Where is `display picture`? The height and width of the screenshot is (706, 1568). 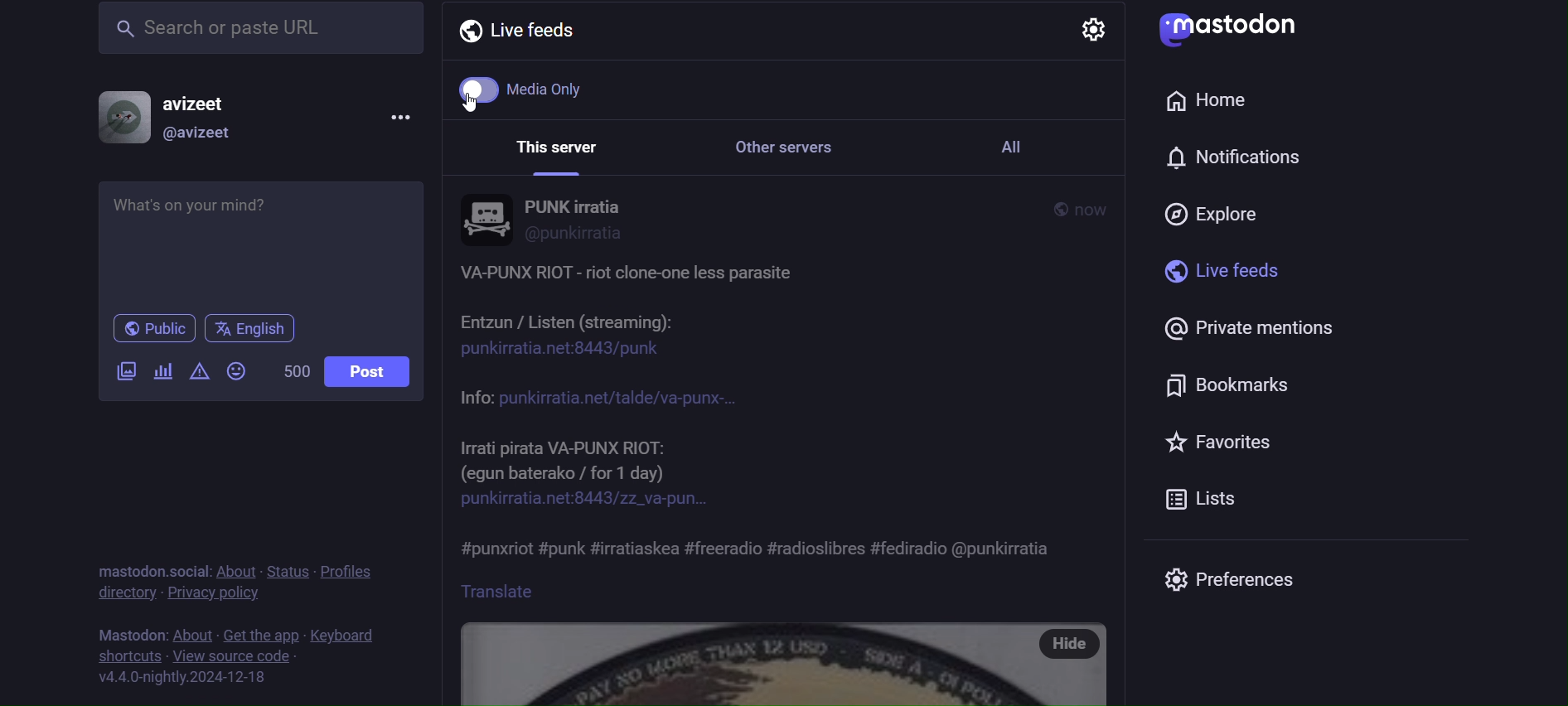
display picture is located at coordinates (116, 114).